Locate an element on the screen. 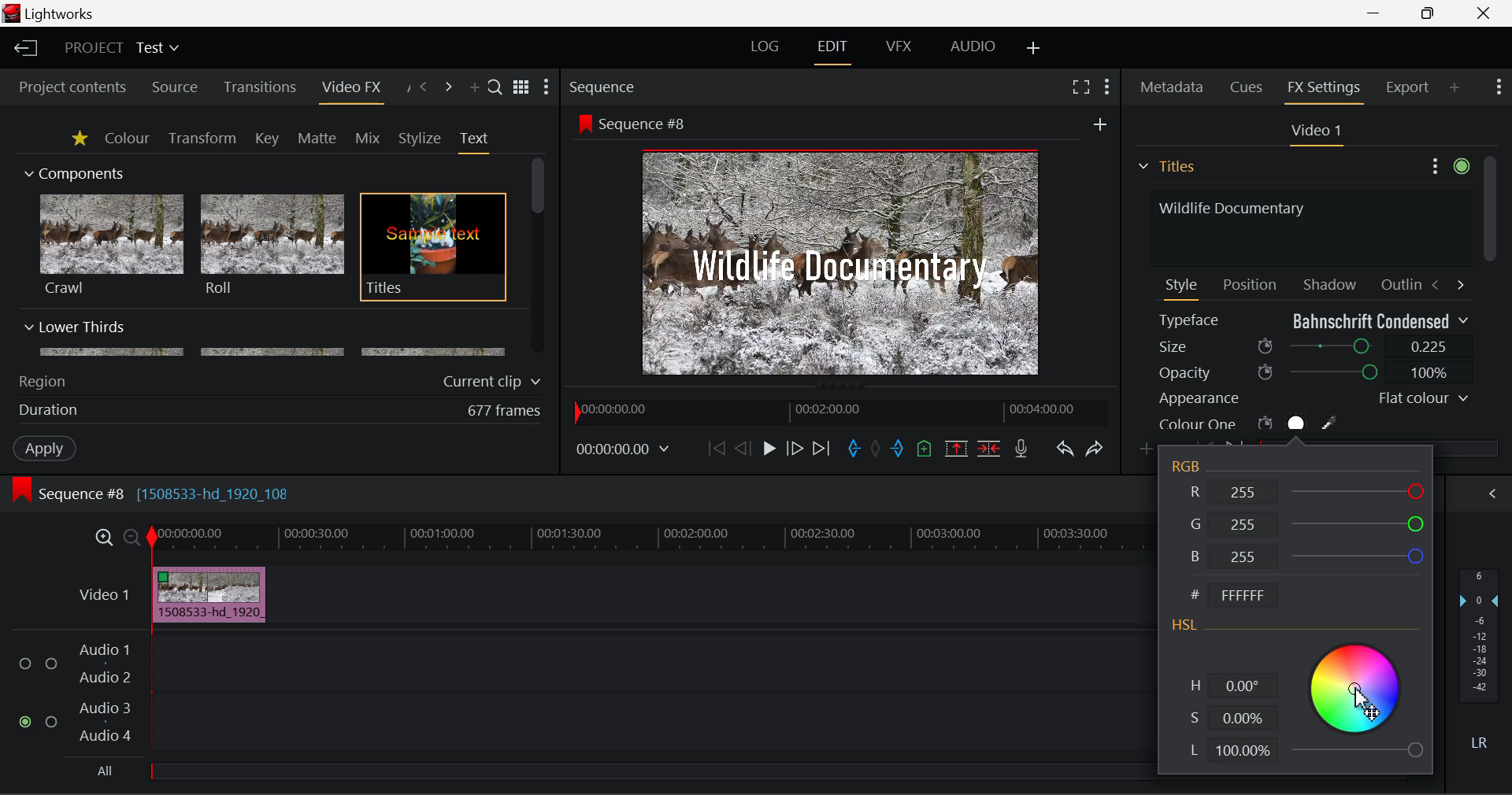 The height and width of the screenshot is (795, 1512). Undo is located at coordinates (1065, 450).